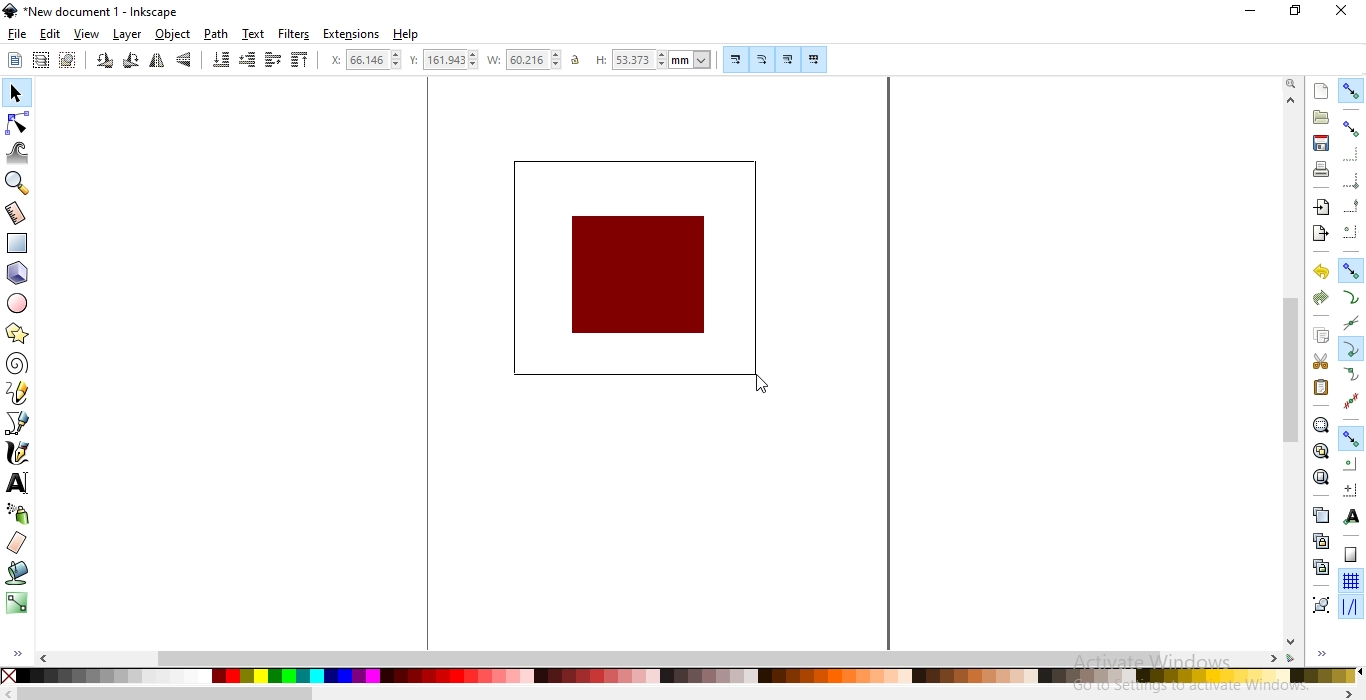  What do you see at coordinates (1294, 9) in the screenshot?
I see `restore down` at bounding box center [1294, 9].